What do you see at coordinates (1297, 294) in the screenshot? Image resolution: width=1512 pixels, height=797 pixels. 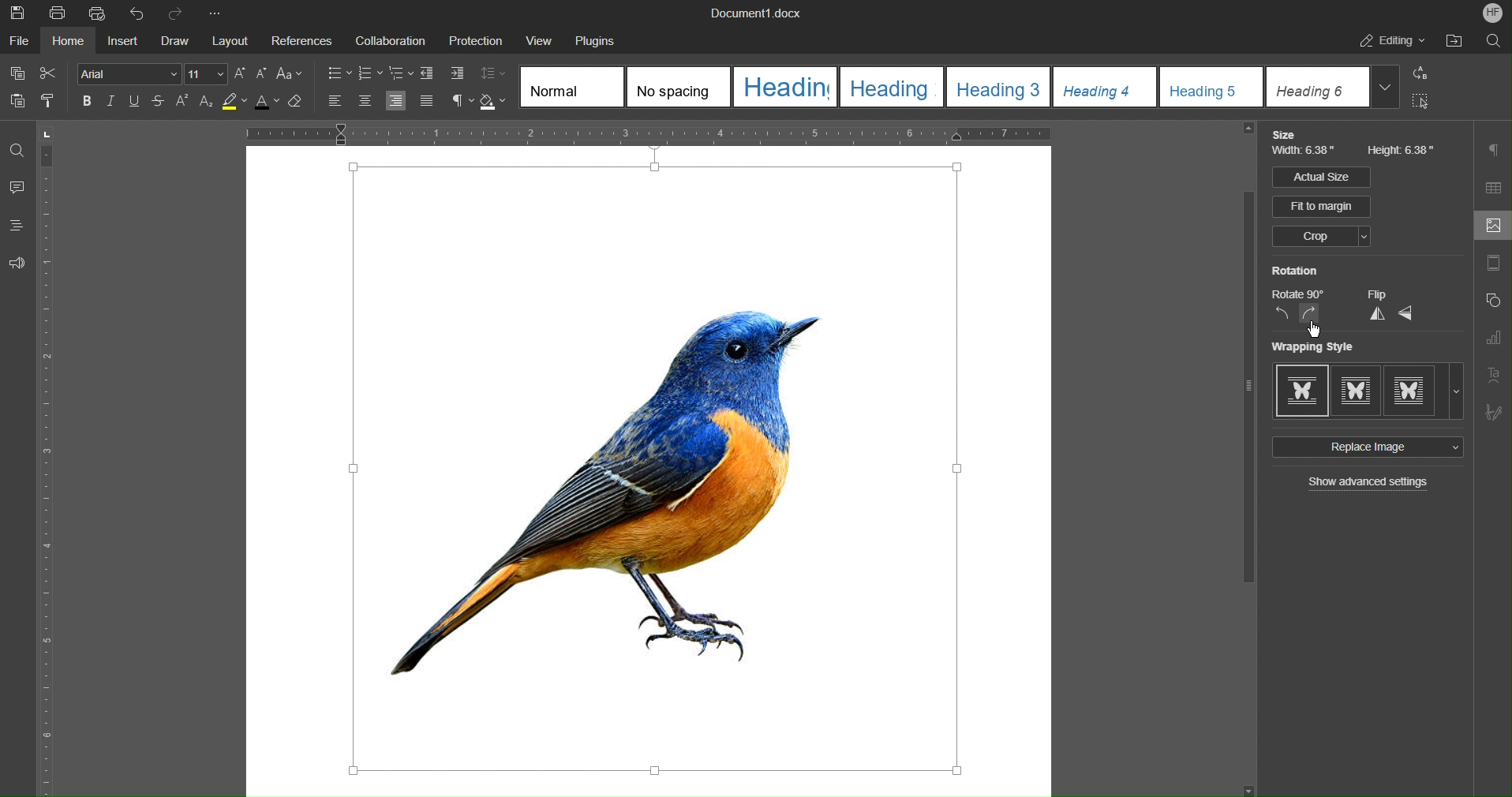 I see `Rotate 90 degrees` at bounding box center [1297, 294].